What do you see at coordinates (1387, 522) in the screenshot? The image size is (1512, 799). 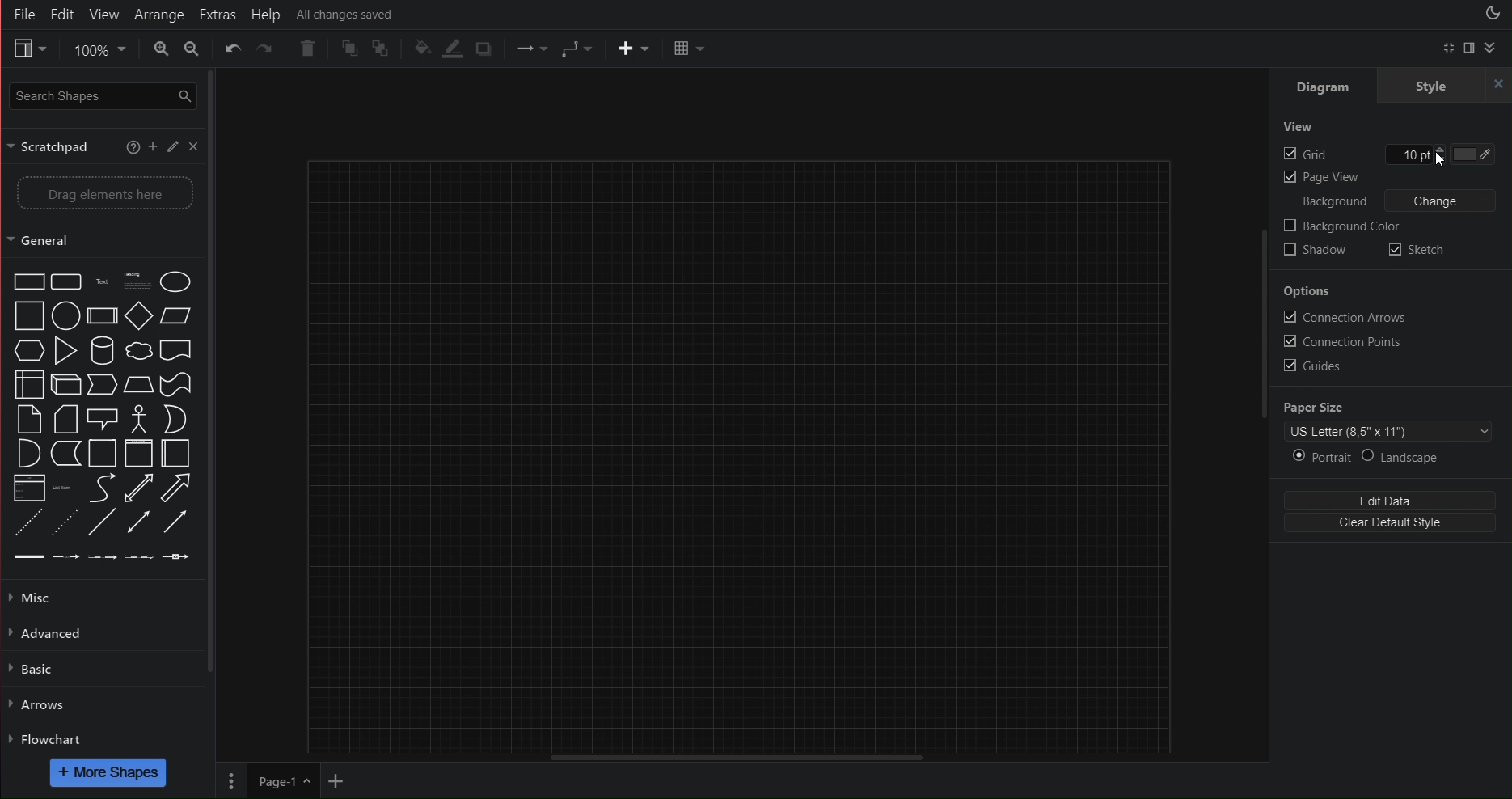 I see `Clear Default Style` at bounding box center [1387, 522].